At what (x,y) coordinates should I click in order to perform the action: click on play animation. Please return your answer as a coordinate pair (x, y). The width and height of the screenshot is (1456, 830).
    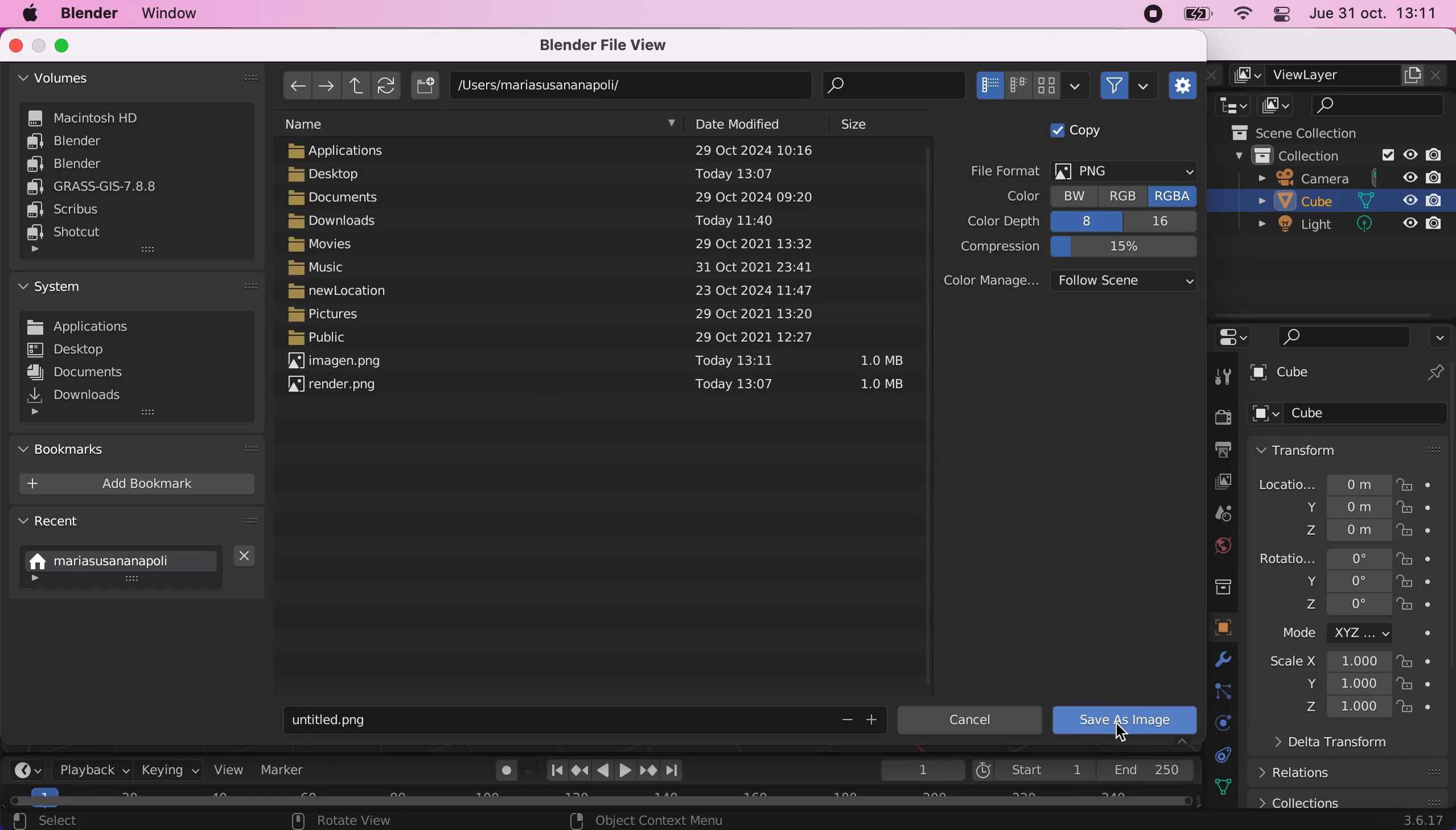
    Looking at the image, I should click on (625, 770).